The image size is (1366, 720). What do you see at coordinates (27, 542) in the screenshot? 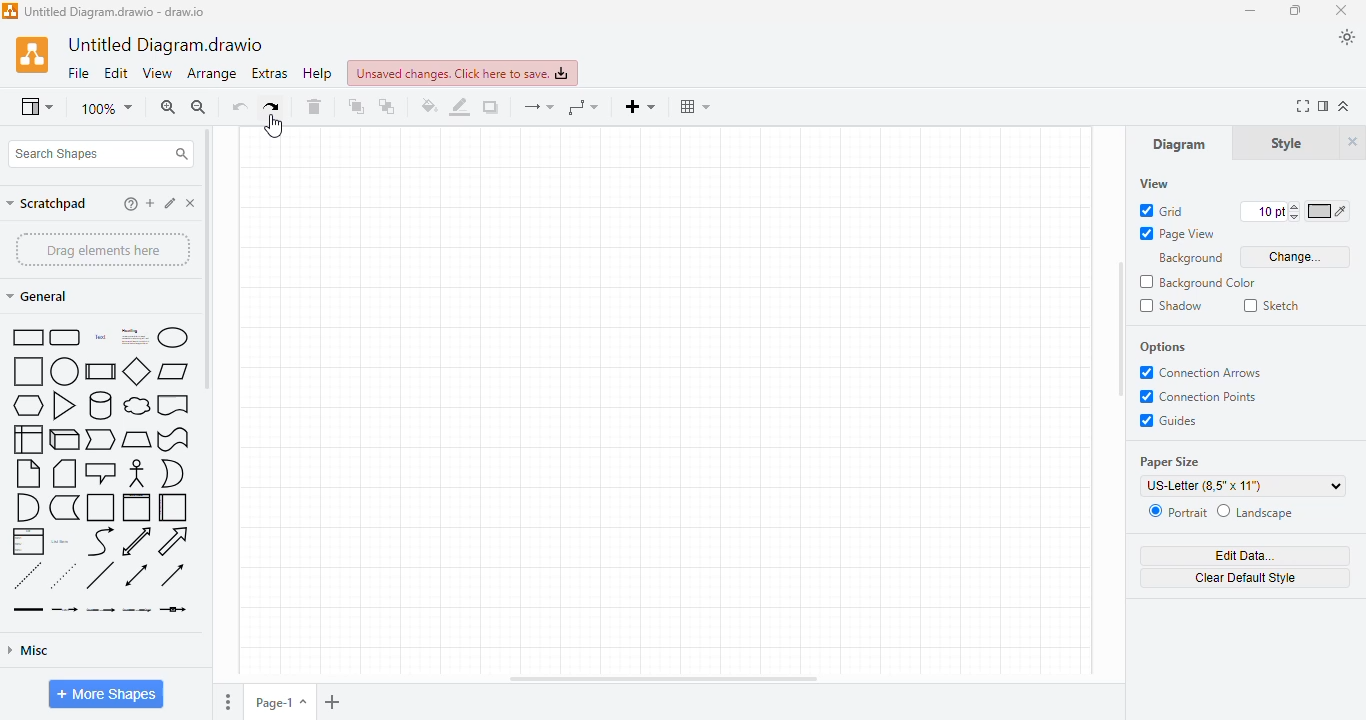
I see `list` at bounding box center [27, 542].